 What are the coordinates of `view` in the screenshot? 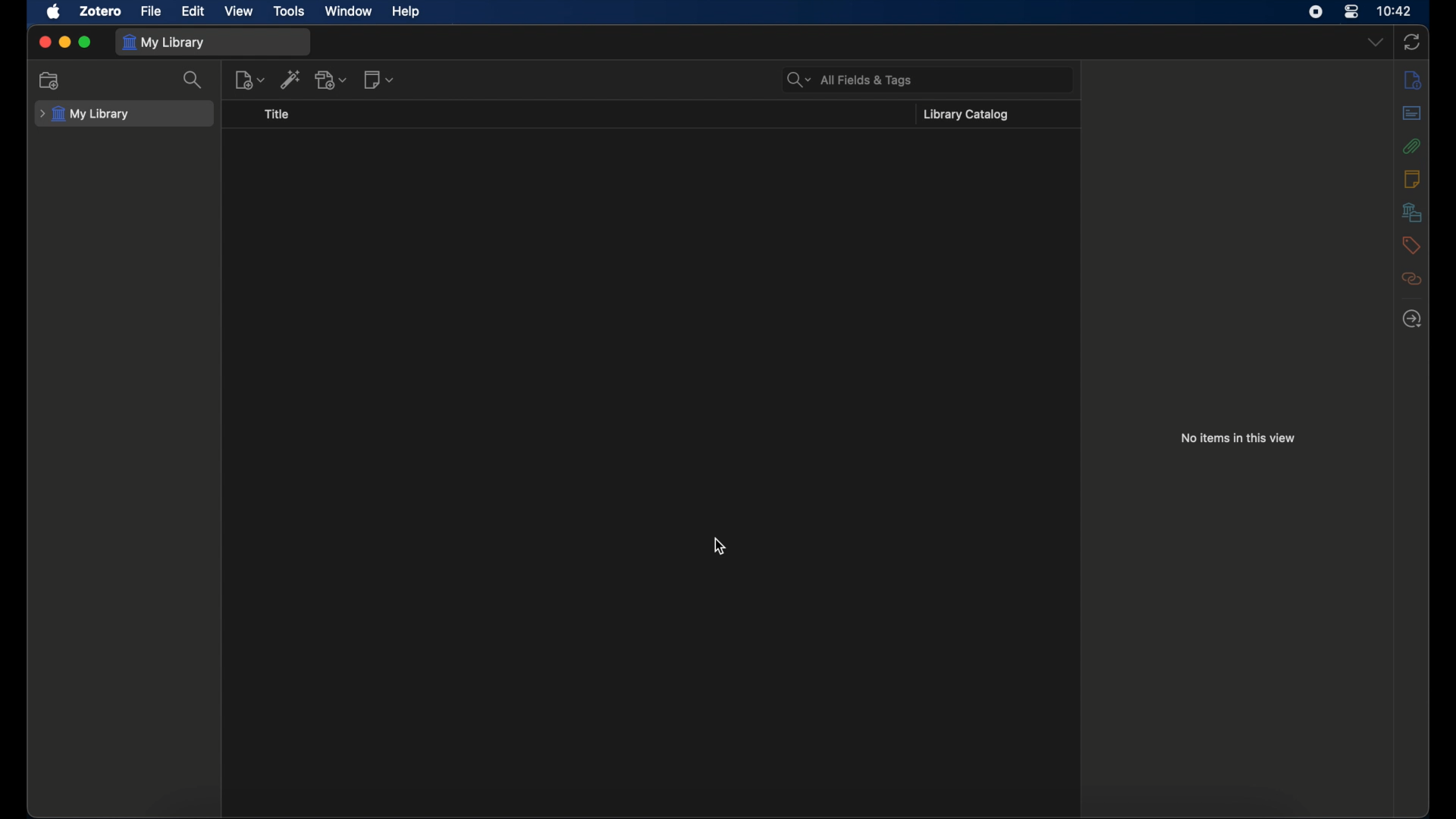 It's located at (238, 11).